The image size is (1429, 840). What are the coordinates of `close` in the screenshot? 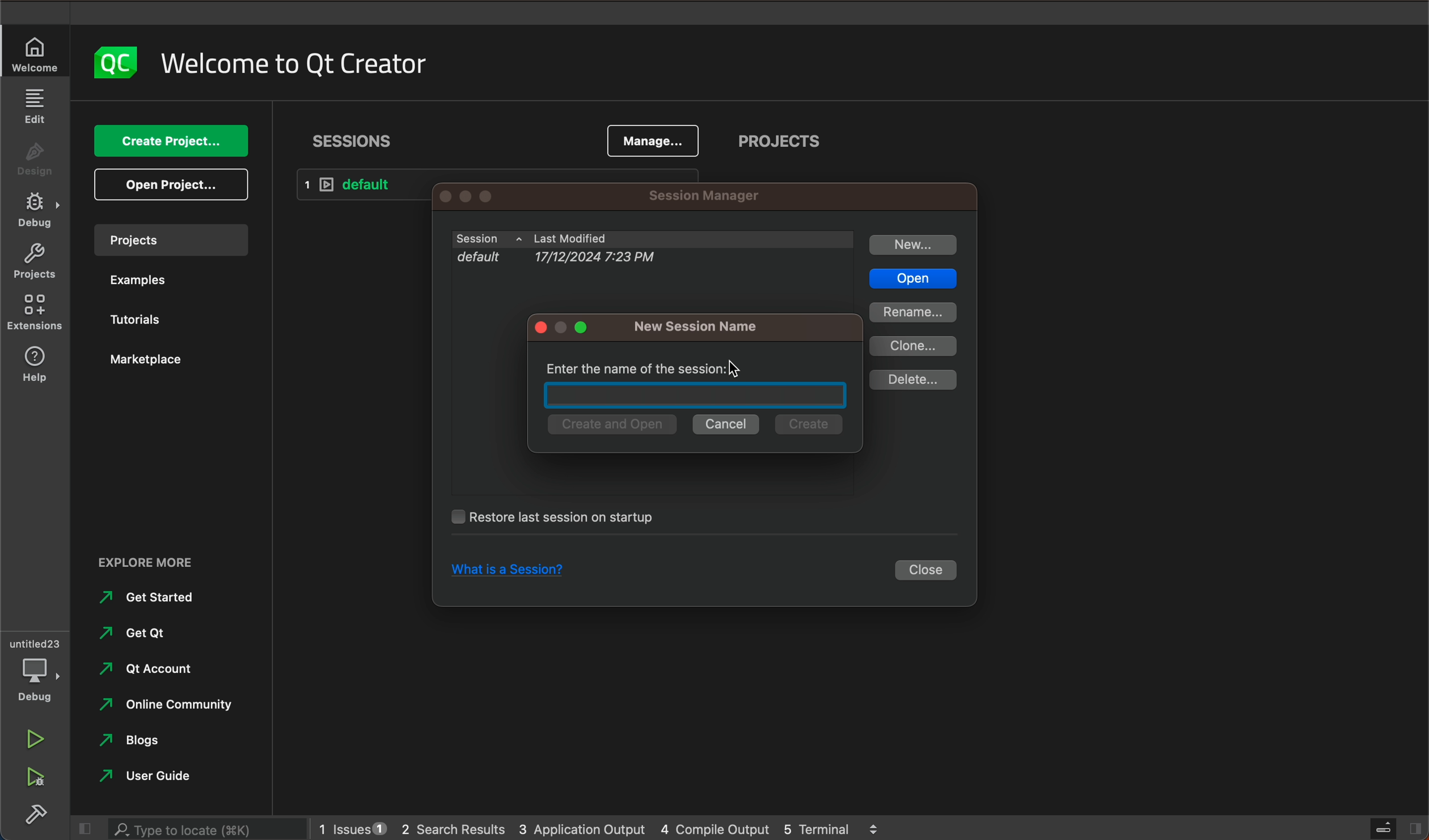 It's located at (928, 571).